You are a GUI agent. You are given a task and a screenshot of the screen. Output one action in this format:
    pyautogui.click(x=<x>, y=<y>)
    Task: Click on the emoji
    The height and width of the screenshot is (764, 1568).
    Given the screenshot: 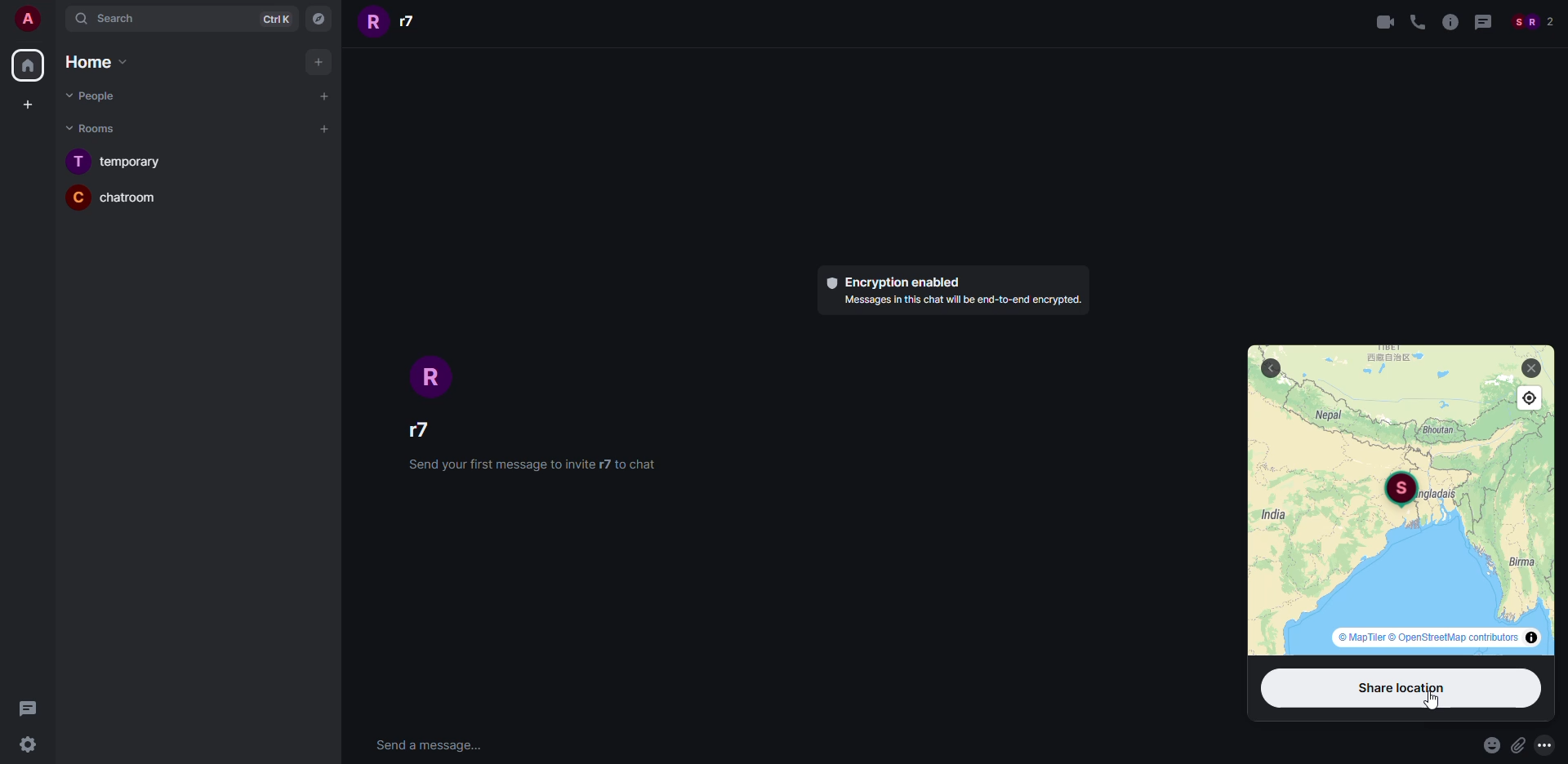 What is the action you would take?
    pyautogui.click(x=1489, y=746)
    